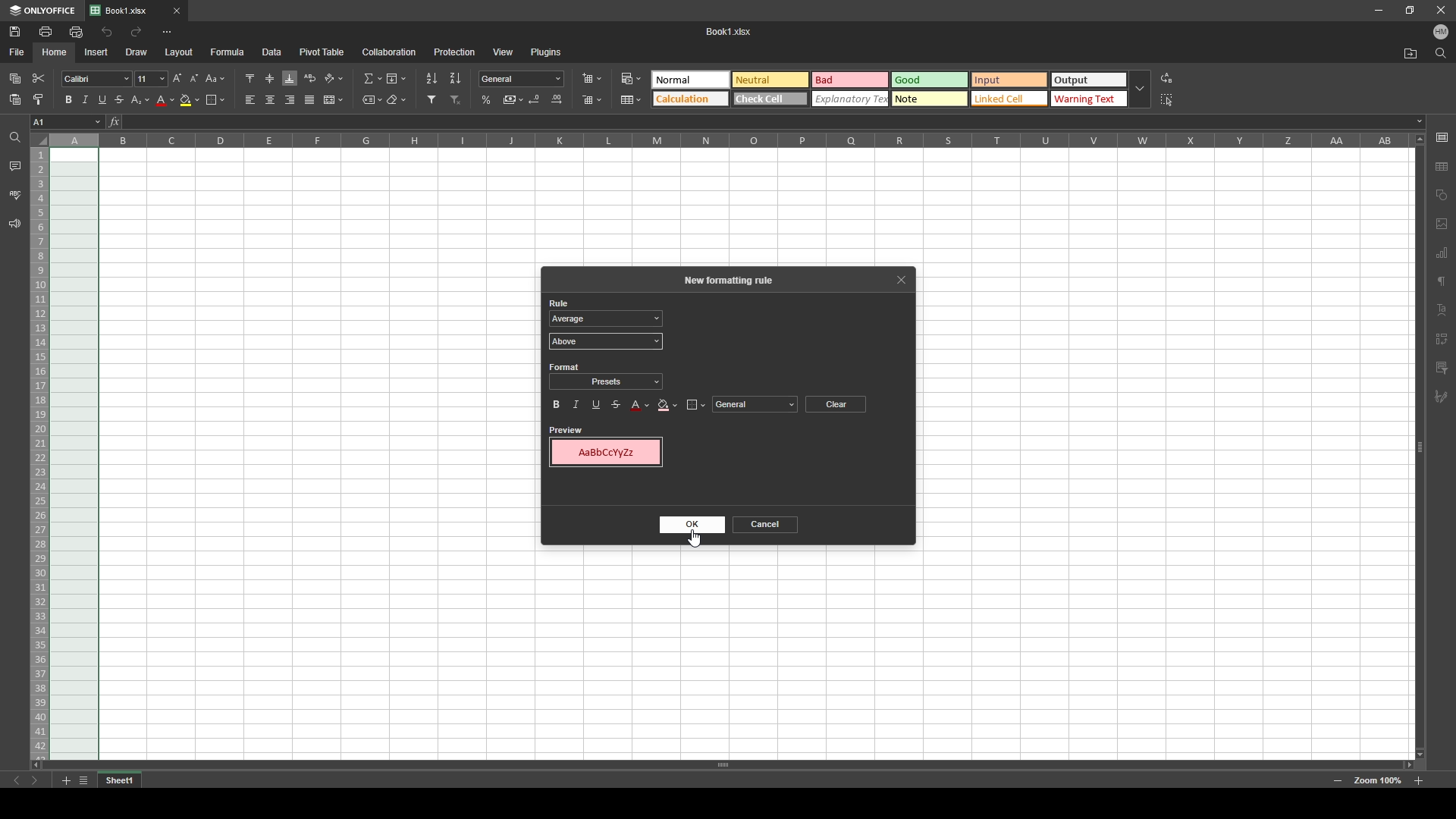 This screenshot has height=819, width=1456. I want to click on plugins, so click(548, 51).